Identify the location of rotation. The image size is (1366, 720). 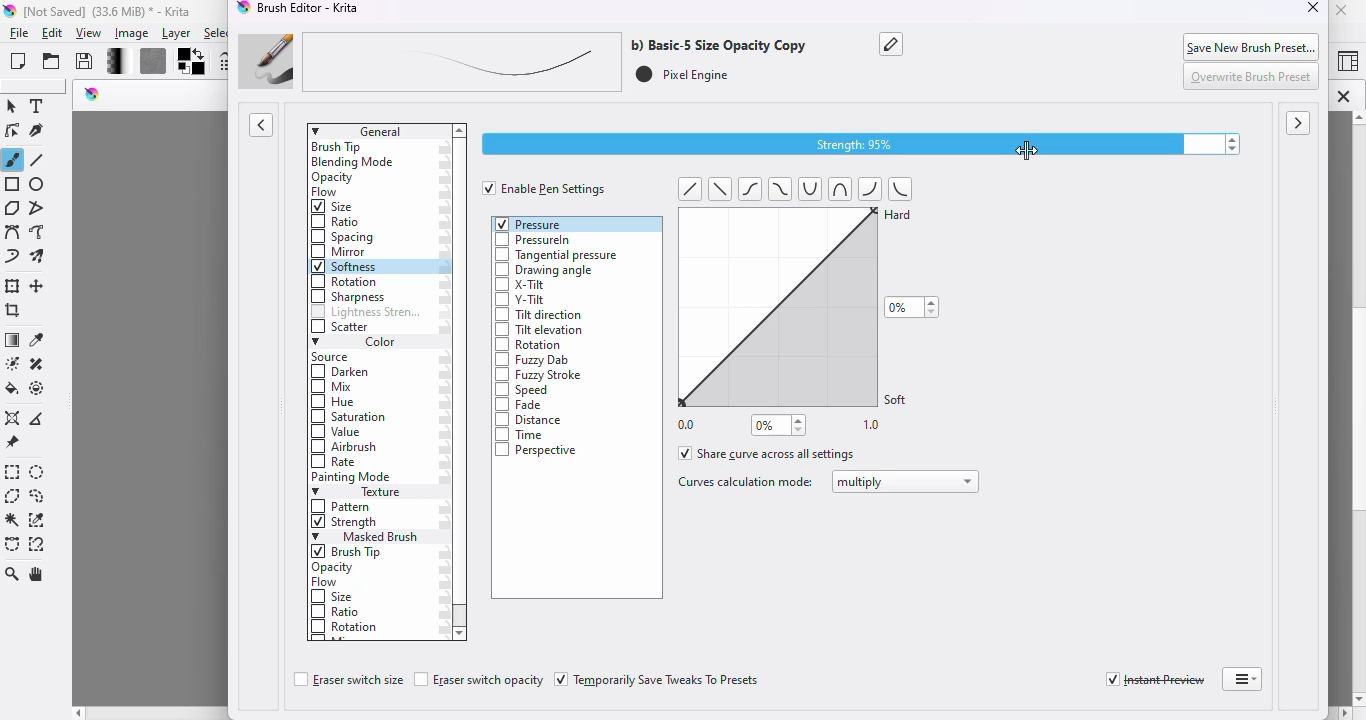
(528, 346).